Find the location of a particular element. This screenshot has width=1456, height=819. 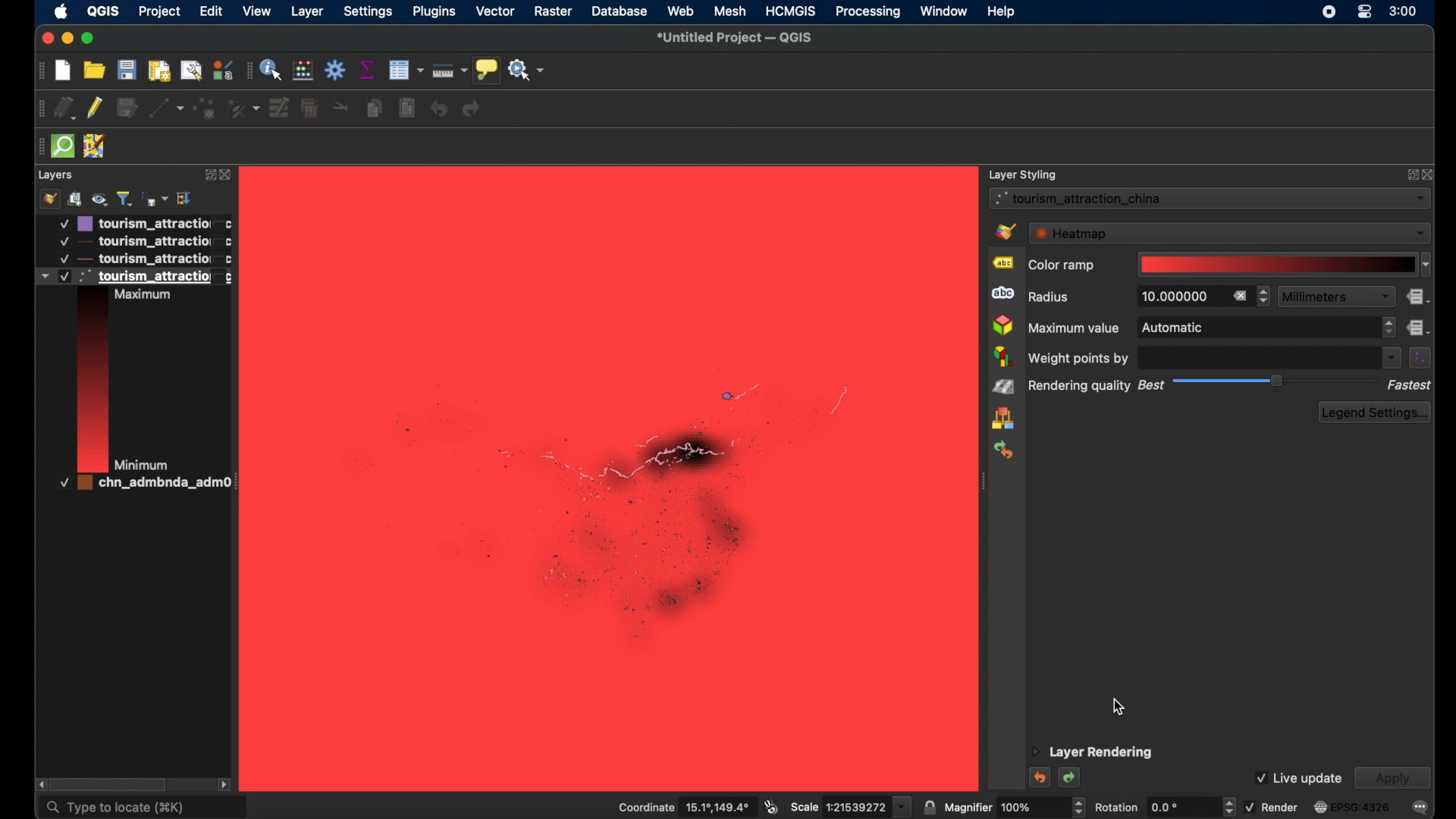

rotation is located at coordinates (1163, 806).